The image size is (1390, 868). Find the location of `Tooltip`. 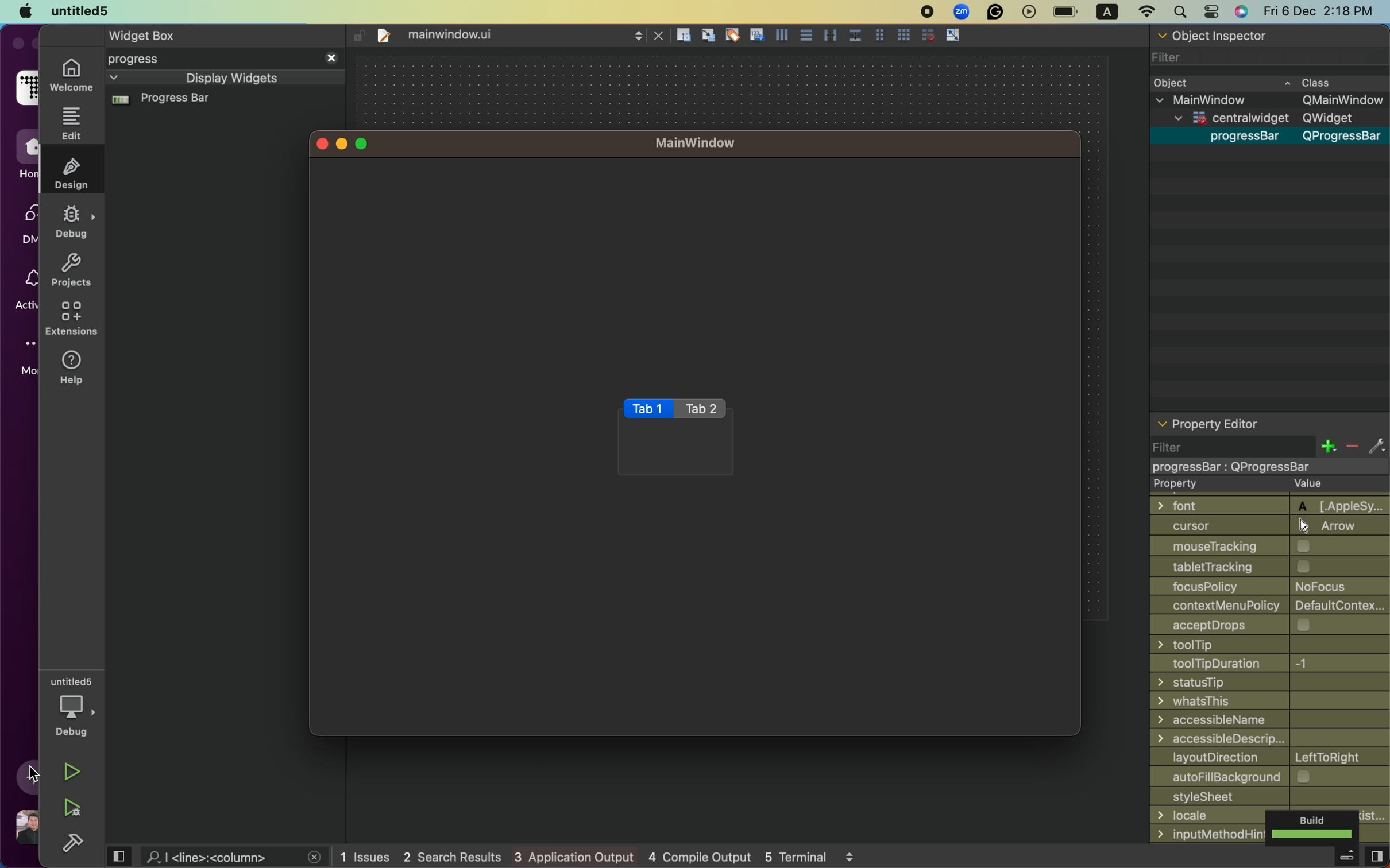

Tooltip is located at coordinates (1271, 645).